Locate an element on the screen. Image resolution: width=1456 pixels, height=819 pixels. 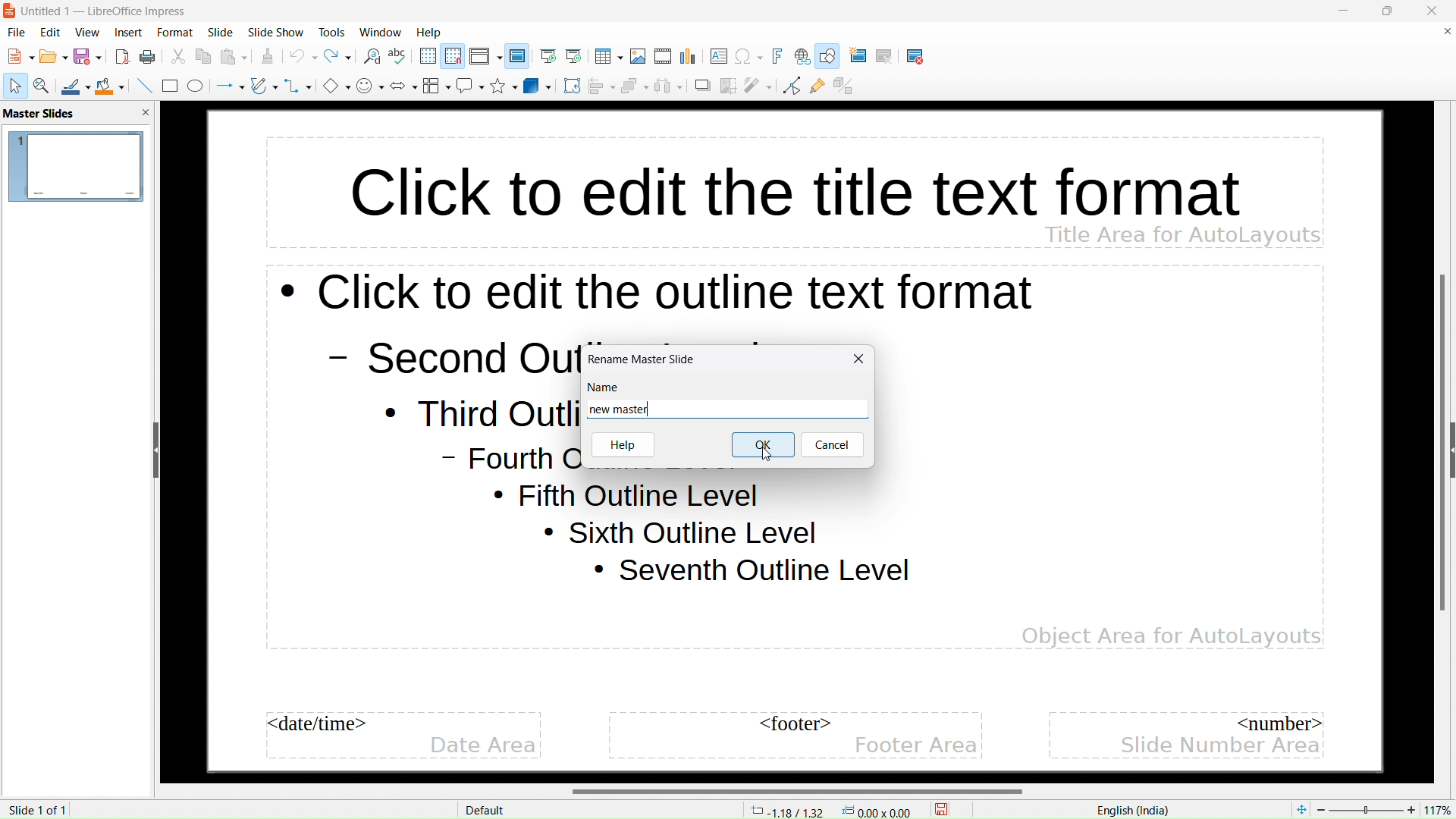
zoom out is located at coordinates (1322, 809).